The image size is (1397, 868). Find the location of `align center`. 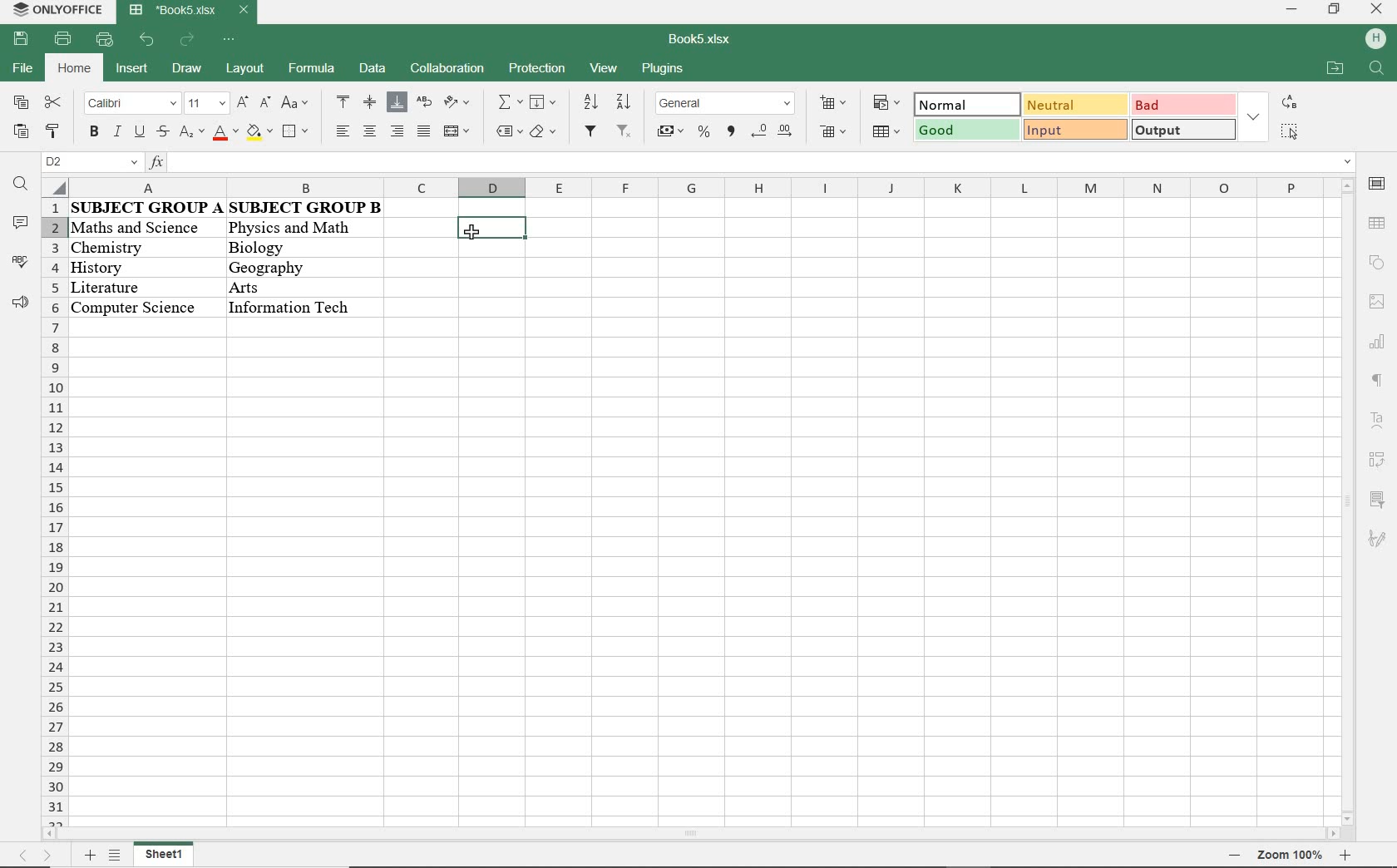

align center is located at coordinates (369, 131).